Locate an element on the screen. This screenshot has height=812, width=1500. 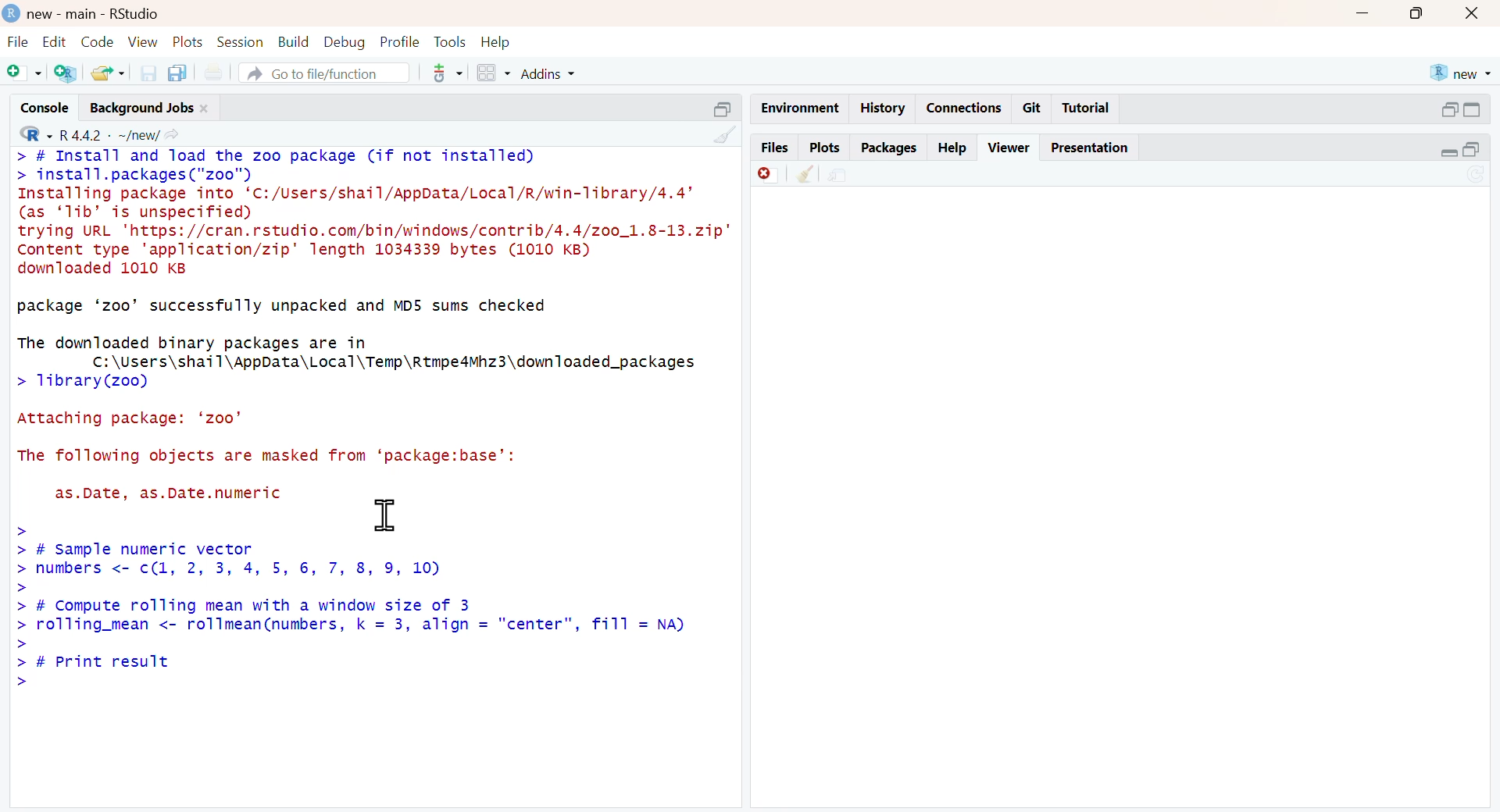
package ‘zoo’ successfully unpacked and MD5 sums checked is located at coordinates (284, 308).